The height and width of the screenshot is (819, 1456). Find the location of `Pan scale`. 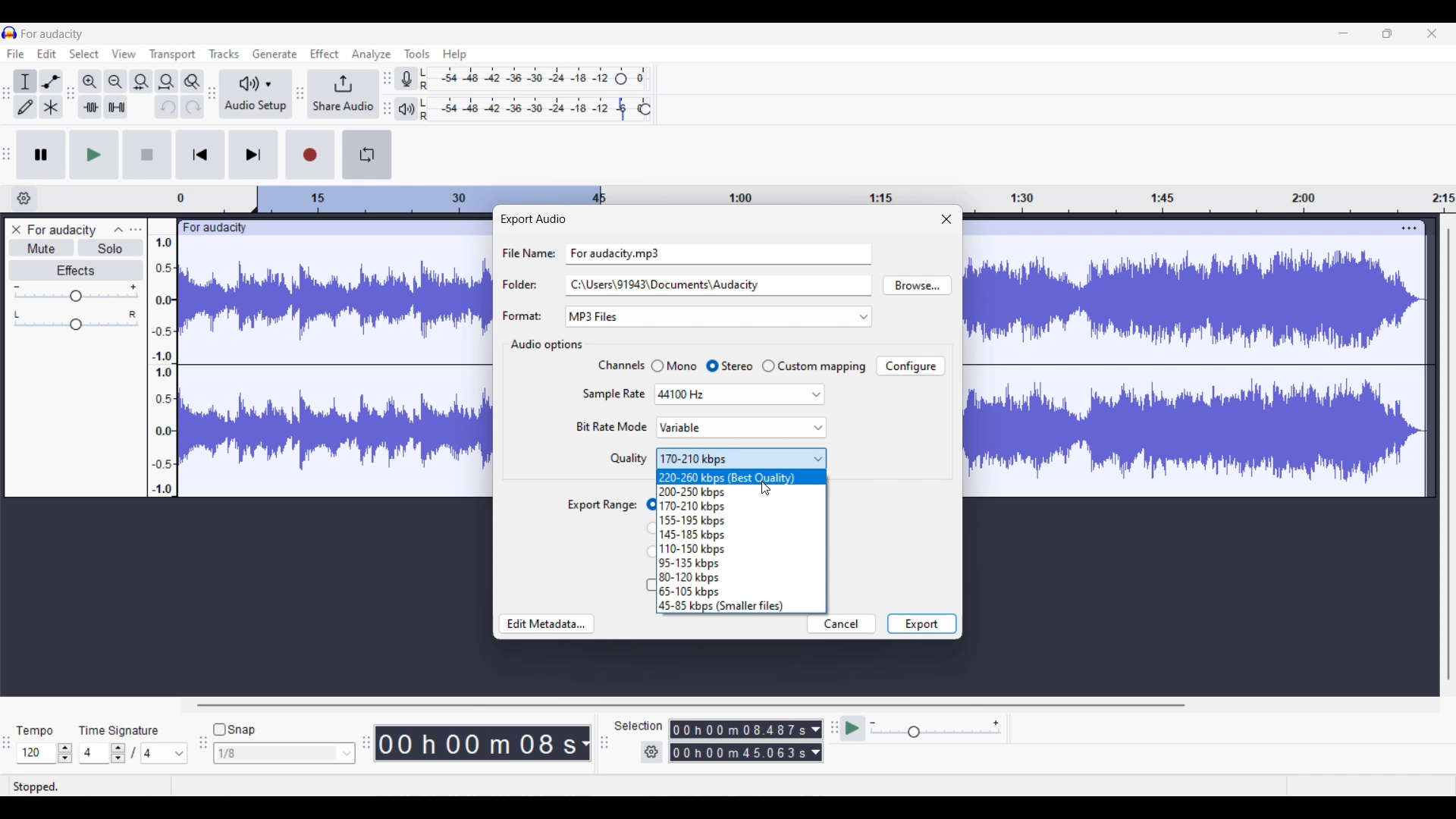

Pan scale is located at coordinates (76, 321).